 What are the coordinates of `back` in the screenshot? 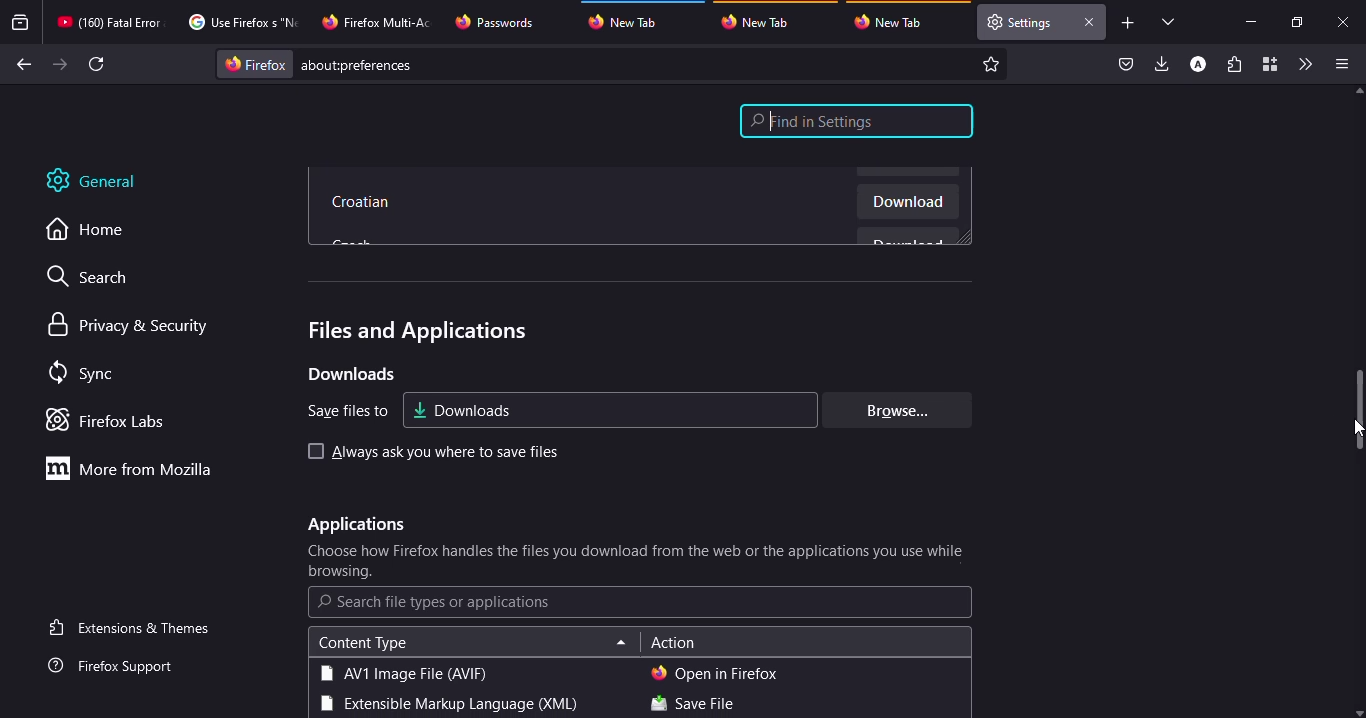 It's located at (21, 65).